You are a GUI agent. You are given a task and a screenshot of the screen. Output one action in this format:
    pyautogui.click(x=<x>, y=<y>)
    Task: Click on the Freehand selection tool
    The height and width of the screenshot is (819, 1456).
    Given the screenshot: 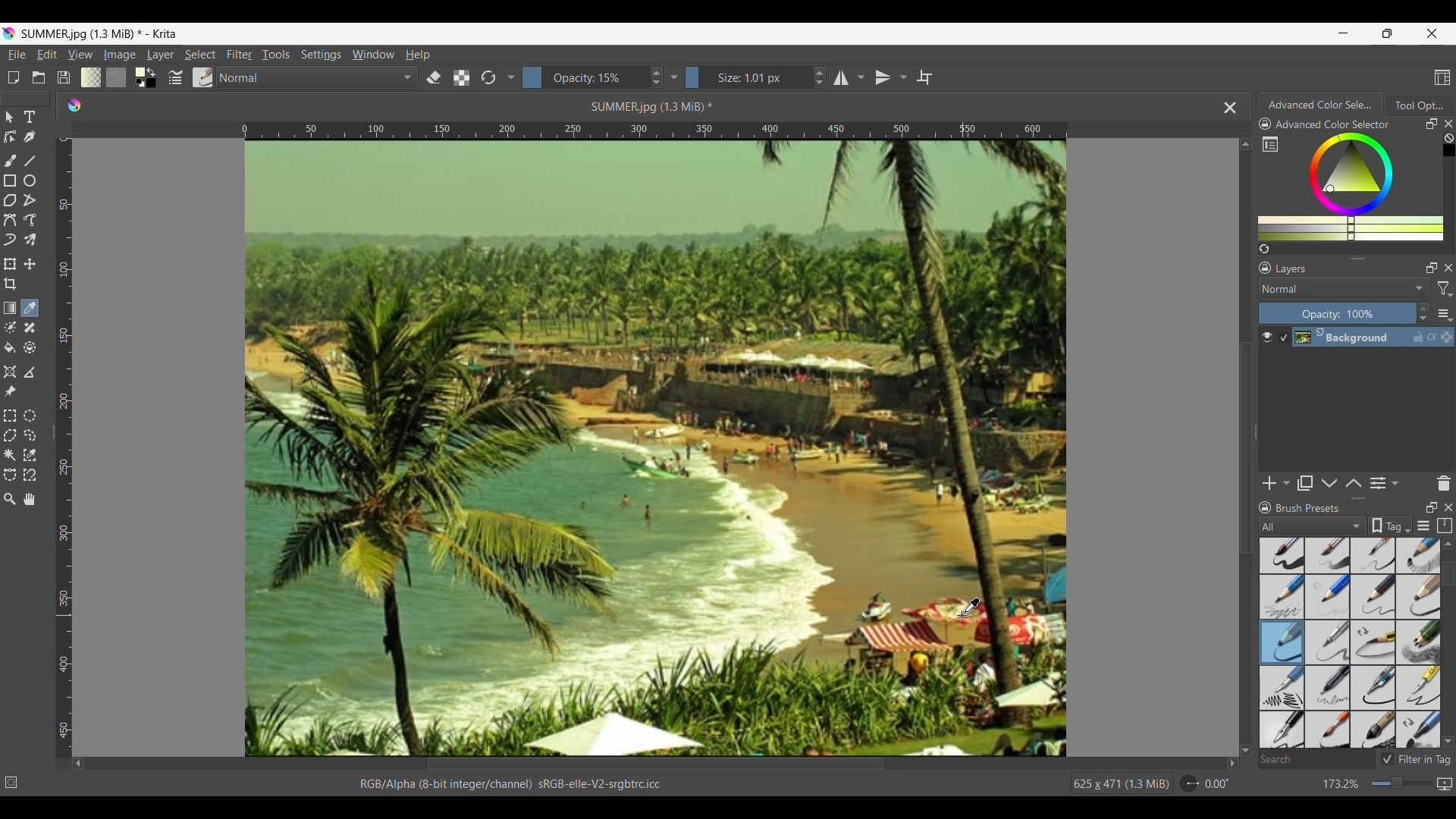 What is the action you would take?
    pyautogui.click(x=31, y=435)
    